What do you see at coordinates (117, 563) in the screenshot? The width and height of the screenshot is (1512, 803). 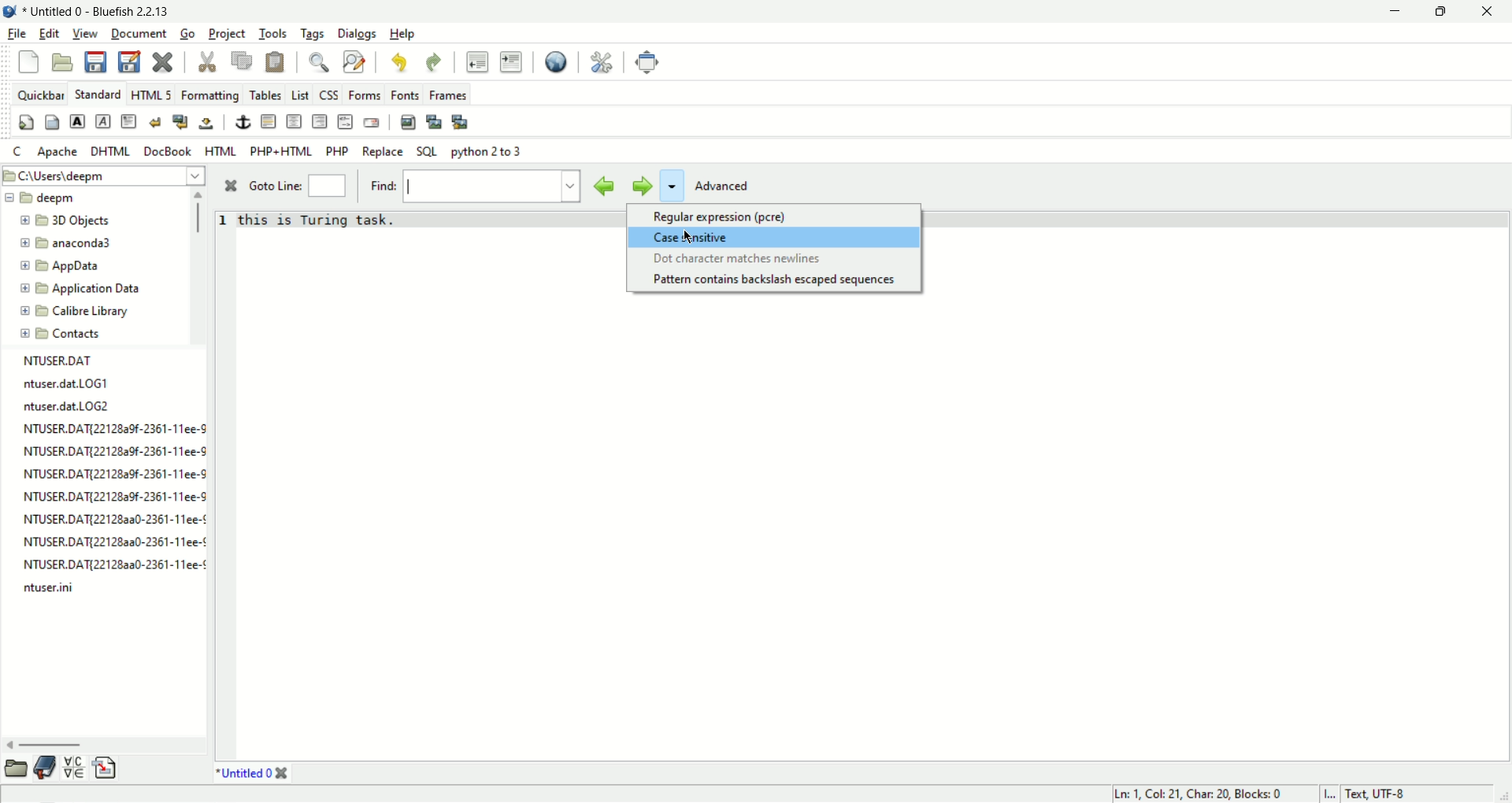 I see `NTUSER.DAT{22128aa0-2361-11ee-¢` at bounding box center [117, 563].